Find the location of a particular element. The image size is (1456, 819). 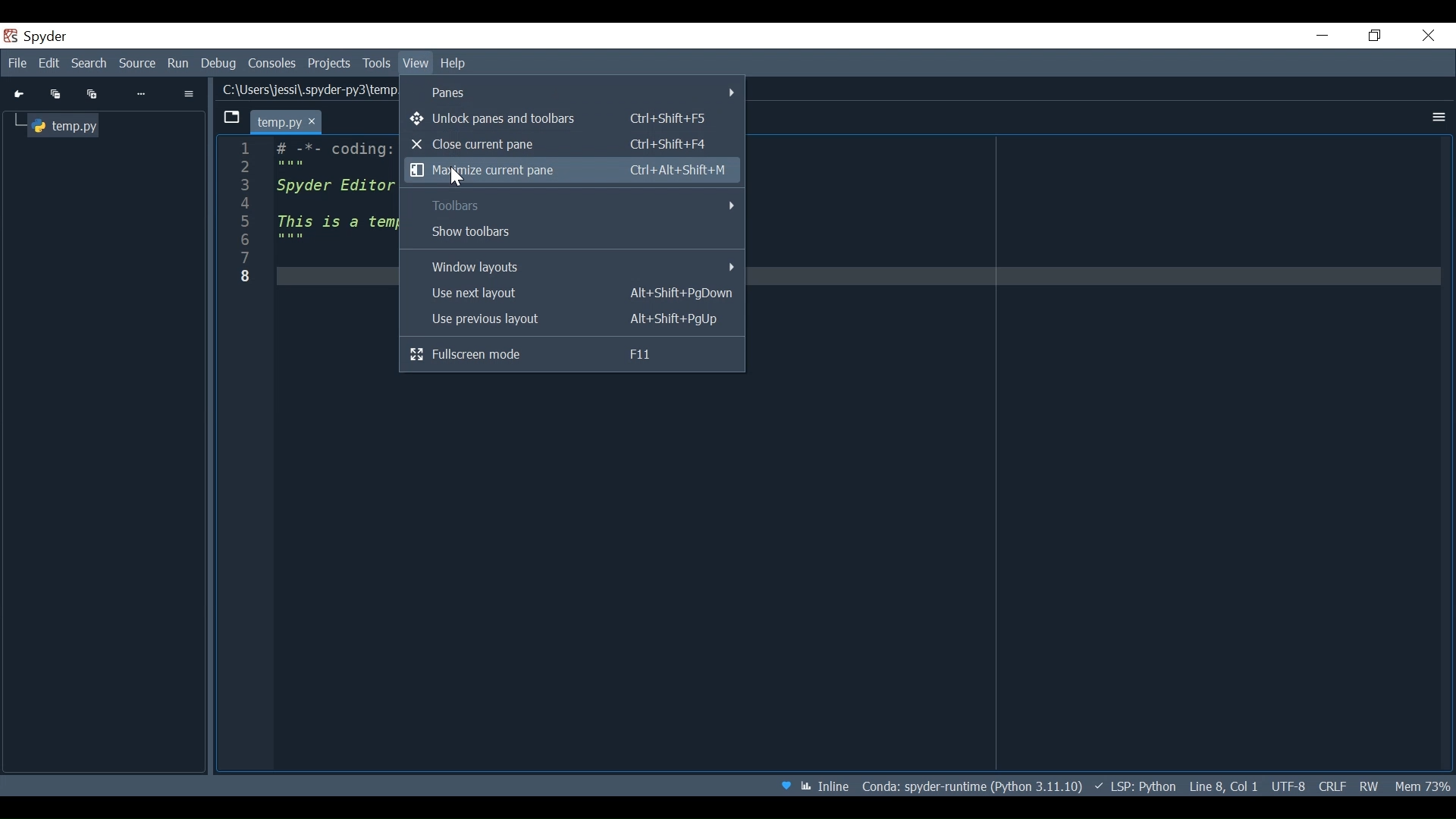

Source is located at coordinates (140, 64).